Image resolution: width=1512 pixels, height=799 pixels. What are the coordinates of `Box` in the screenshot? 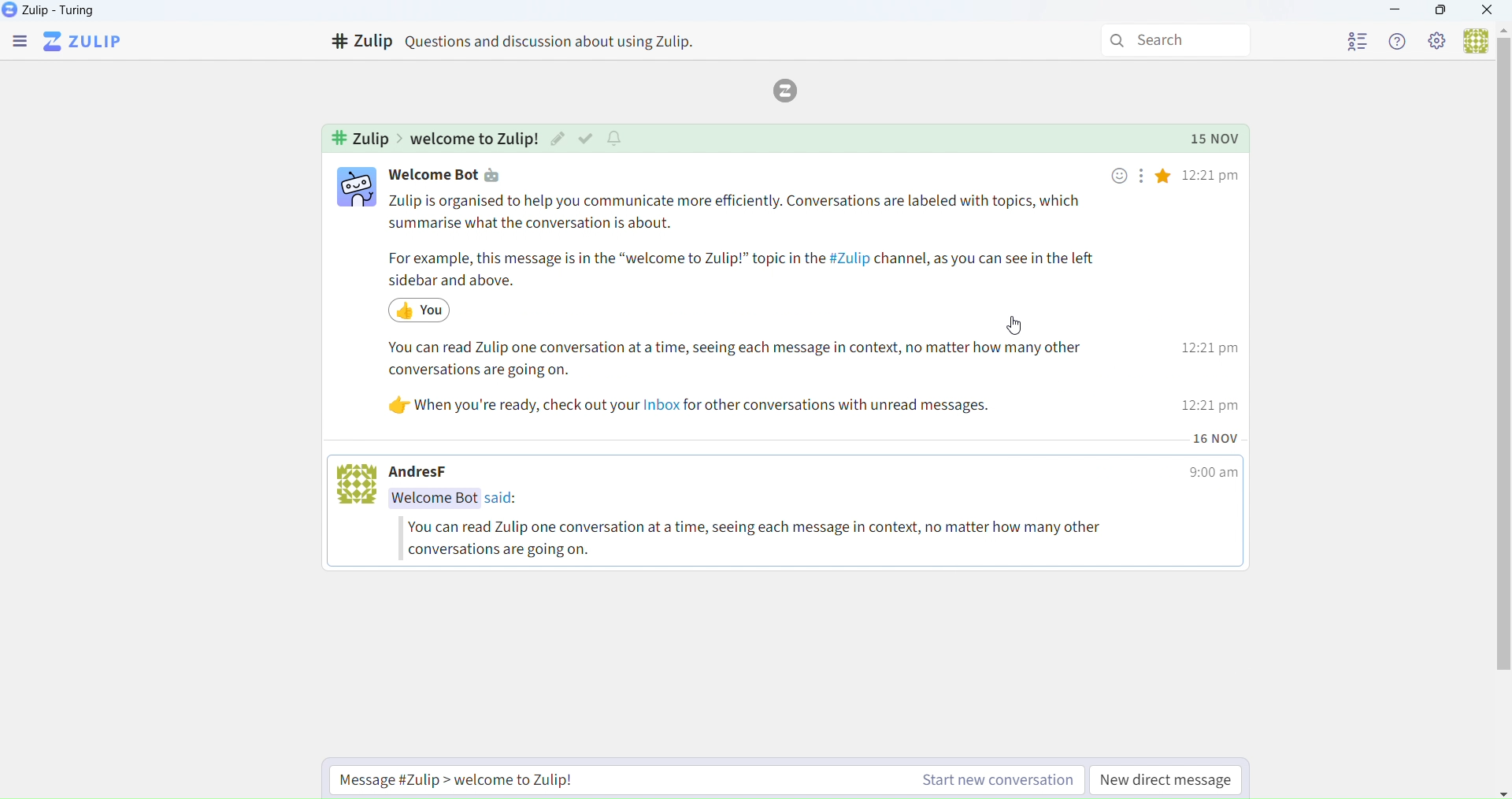 It's located at (1442, 13).